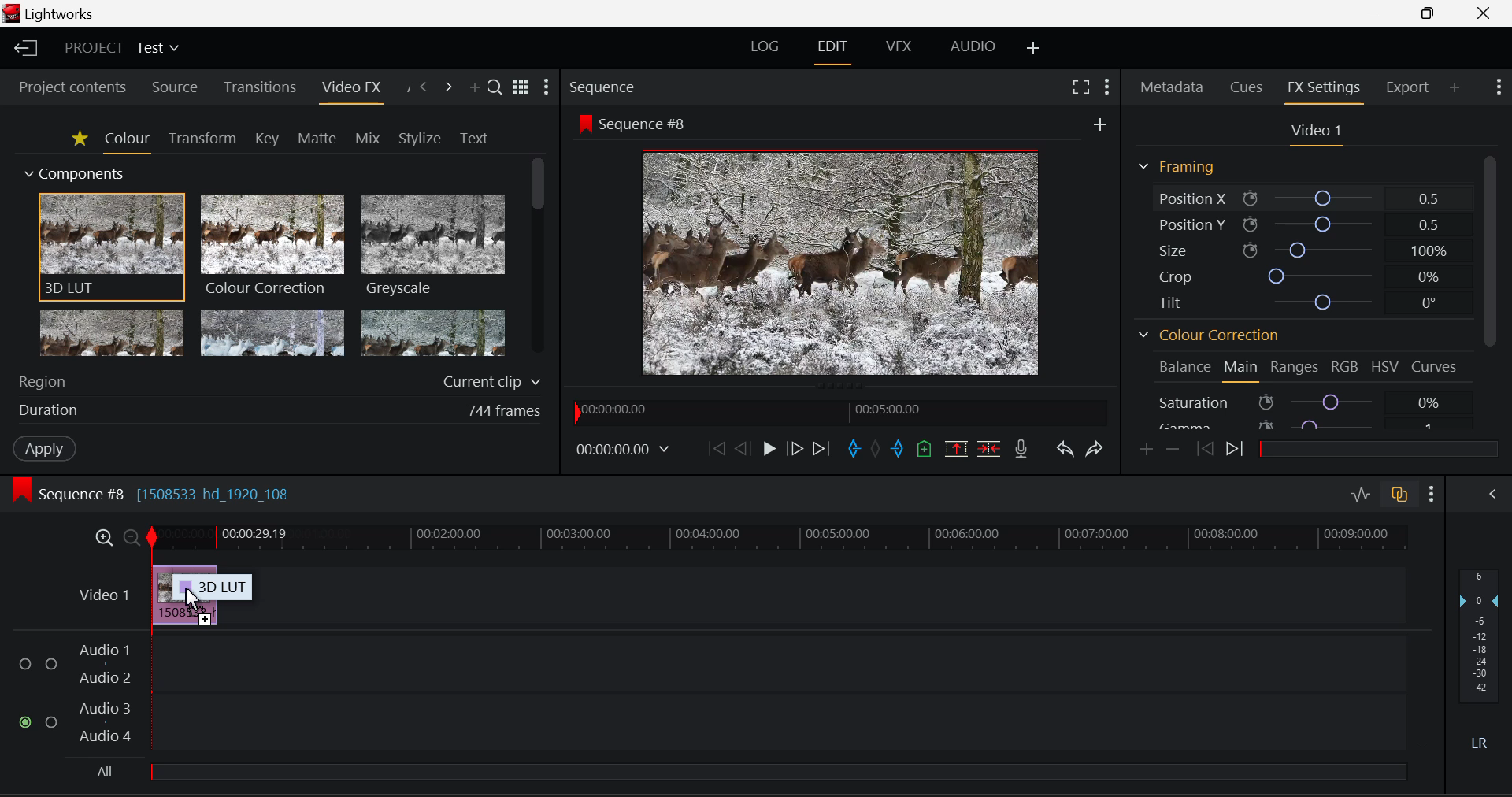  What do you see at coordinates (493, 83) in the screenshot?
I see `Search` at bounding box center [493, 83].